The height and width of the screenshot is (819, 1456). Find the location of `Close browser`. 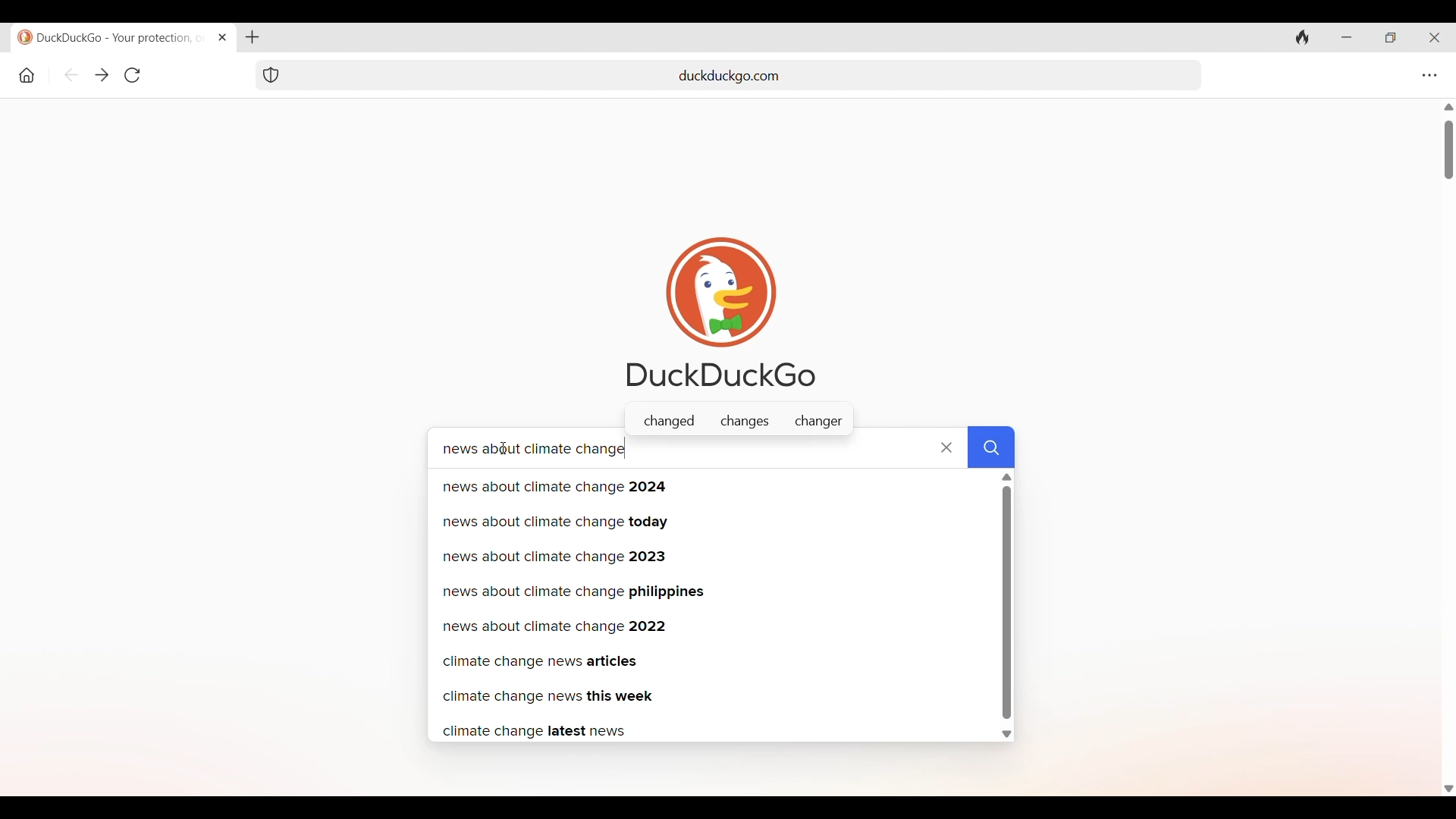

Close browser is located at coordinates (1435, 37).